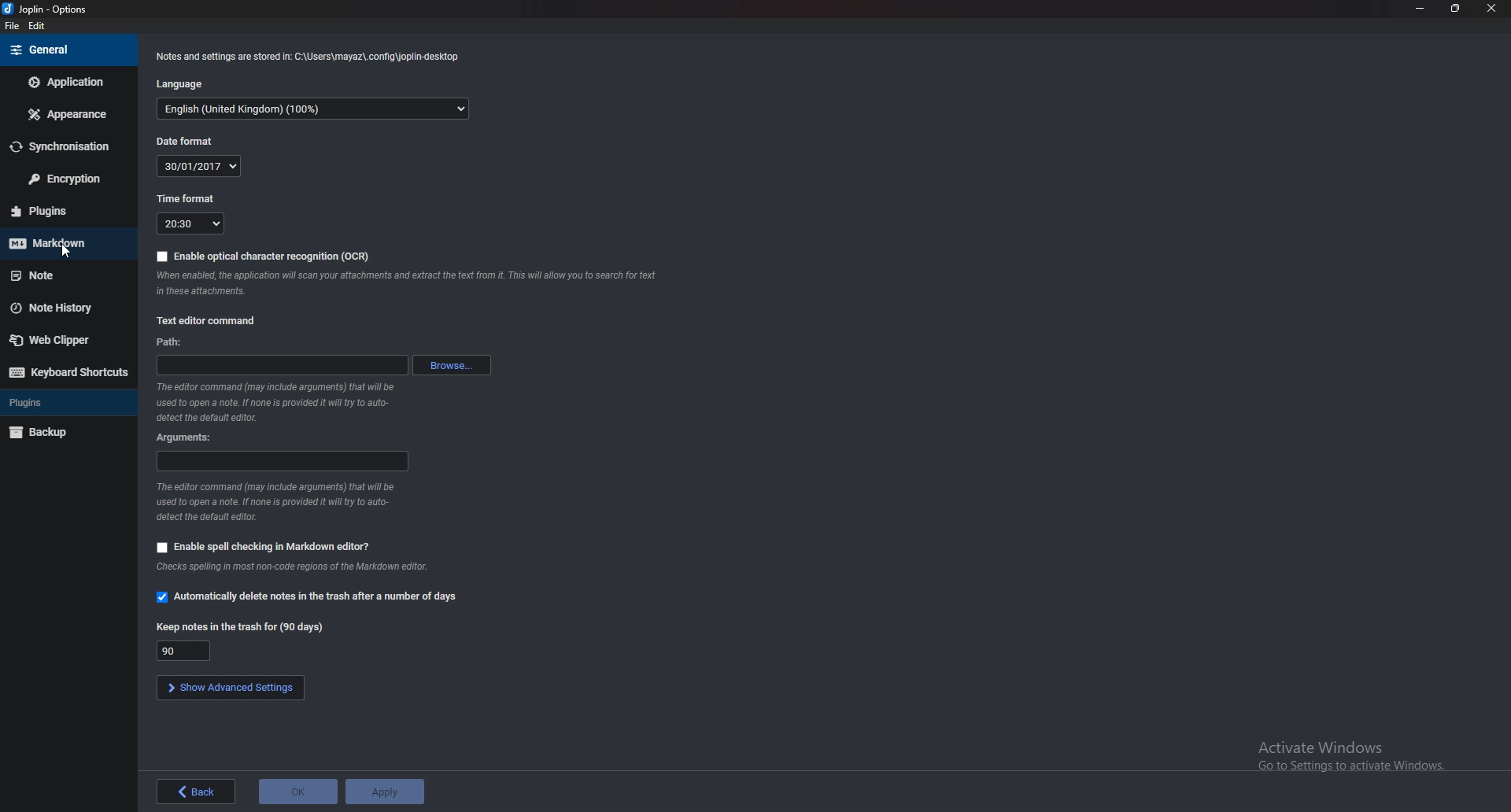  What do you see at coordinates (242, 626) in the screenshot?
I see `Keep notes in trash for (90 days)` at bounding box center [242, 626].